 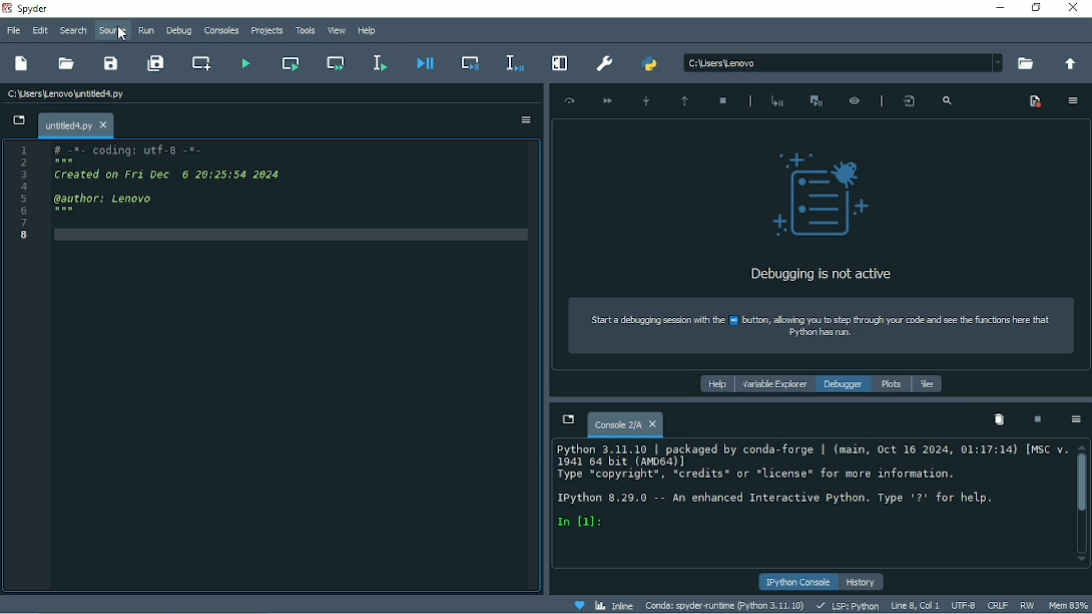 What do you see at coordinates (651, 65) in the screenshot?
I see `PYTHONPATH manager` at bounding box center [651, 65].